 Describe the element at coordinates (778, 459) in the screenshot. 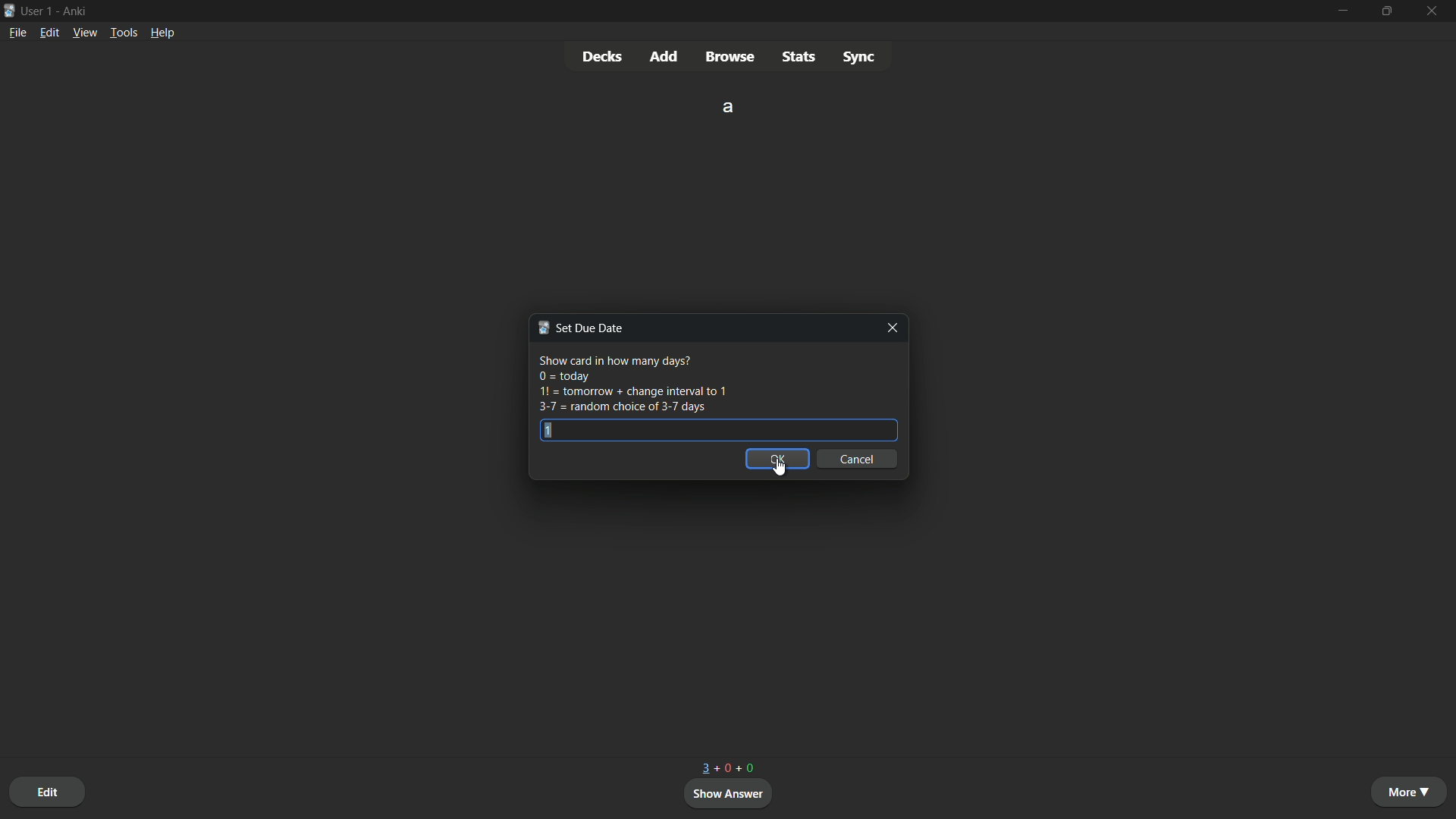

I see `ok` at that location.